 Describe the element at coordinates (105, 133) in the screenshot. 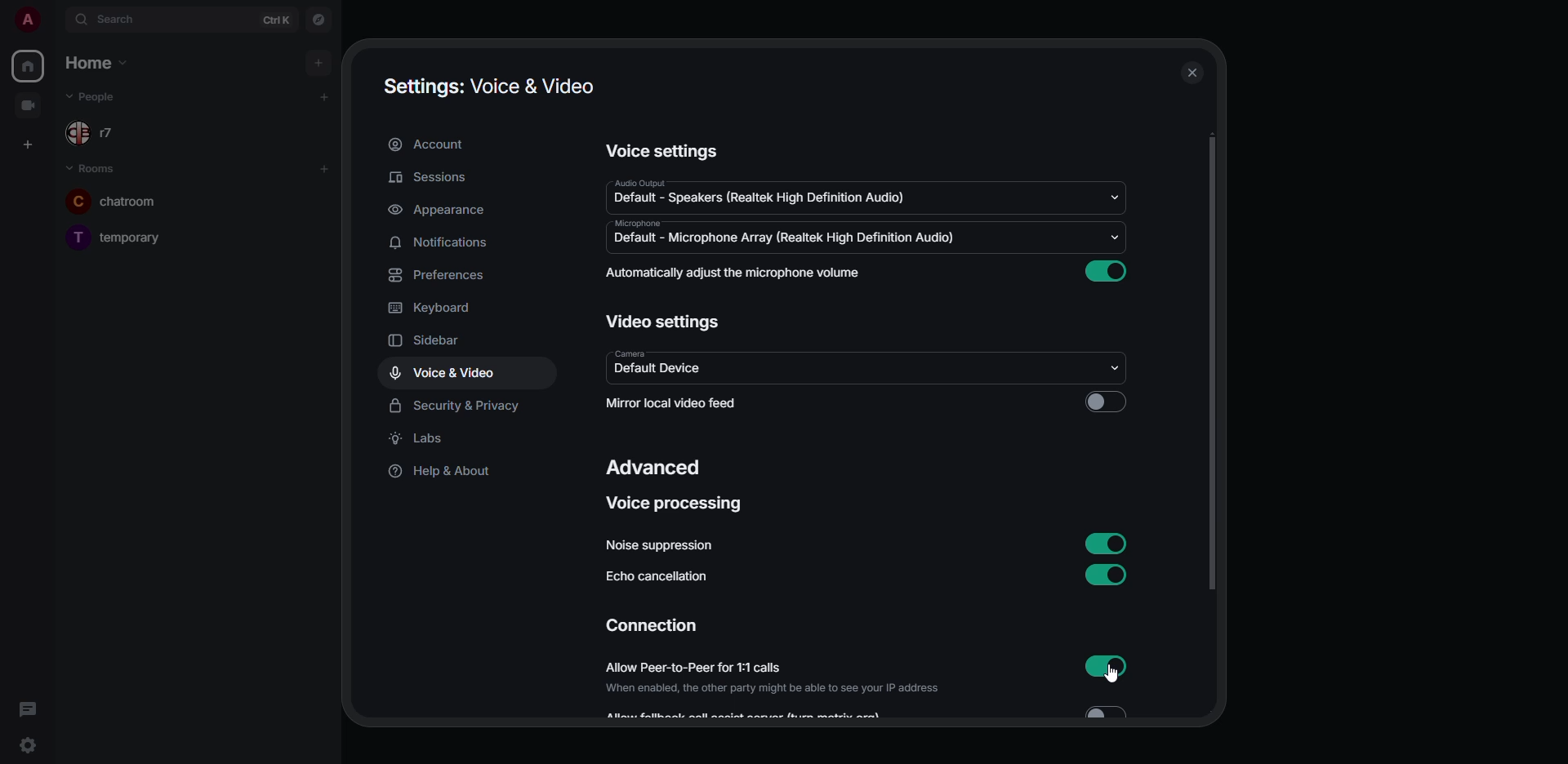

I see `people` at that location.